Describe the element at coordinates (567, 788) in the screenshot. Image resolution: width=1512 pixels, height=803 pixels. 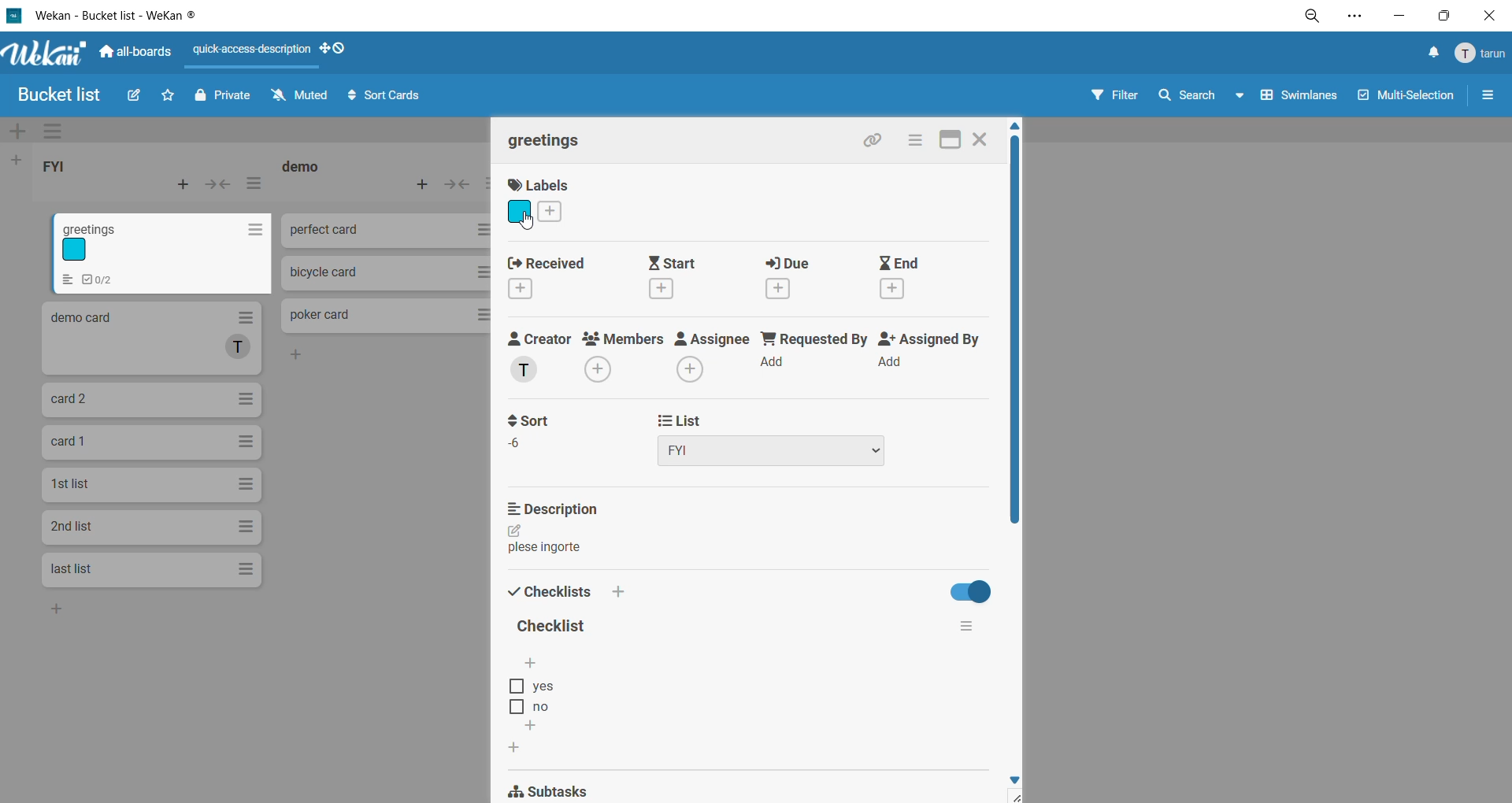
I see `subtasks` at that location.